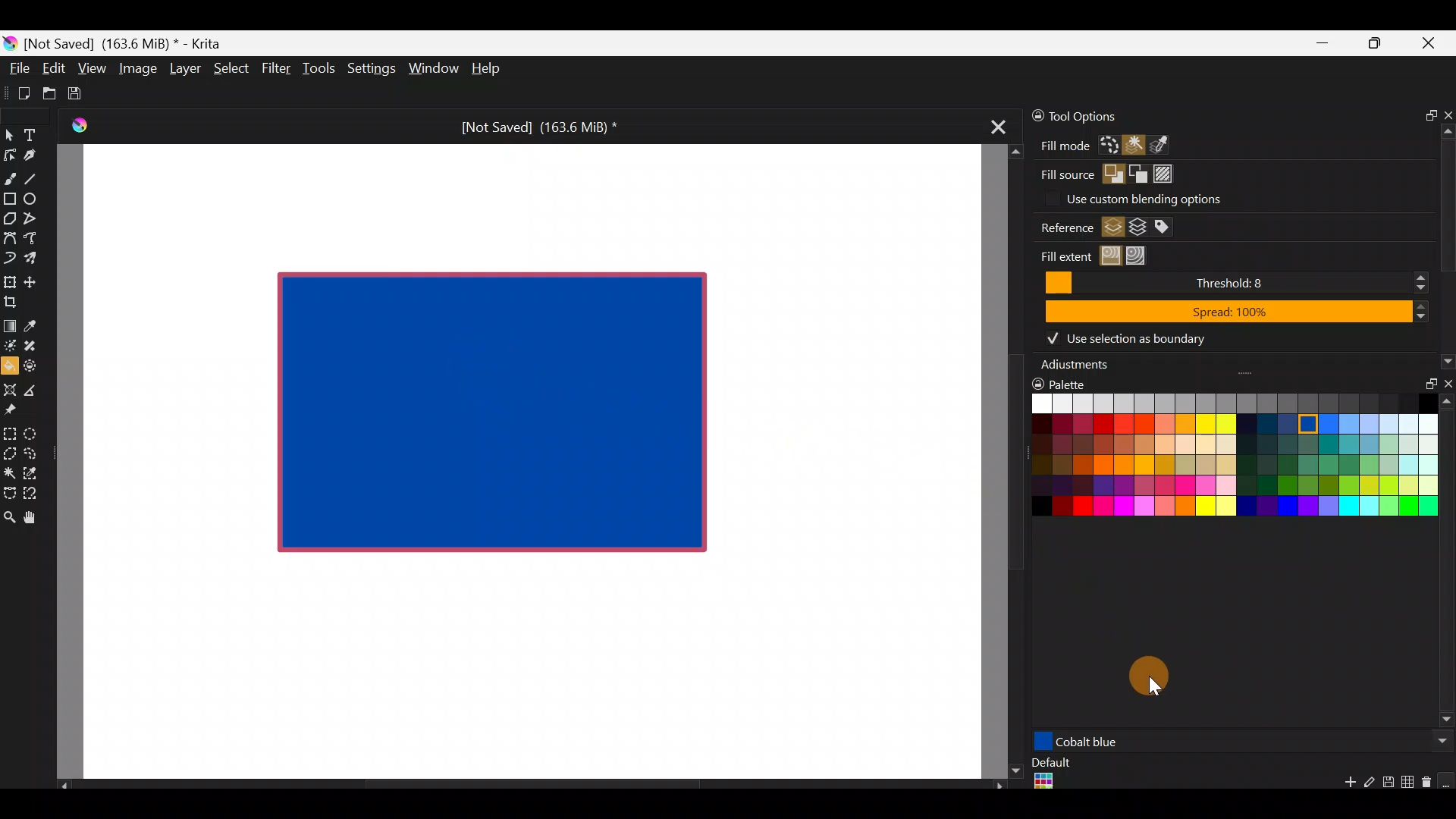 The image size is (1456, 819). Describe the element at coordinates (1164, 226) in the screenshot. I see `Fill regions from the merging of layers with specific colors` at that location.